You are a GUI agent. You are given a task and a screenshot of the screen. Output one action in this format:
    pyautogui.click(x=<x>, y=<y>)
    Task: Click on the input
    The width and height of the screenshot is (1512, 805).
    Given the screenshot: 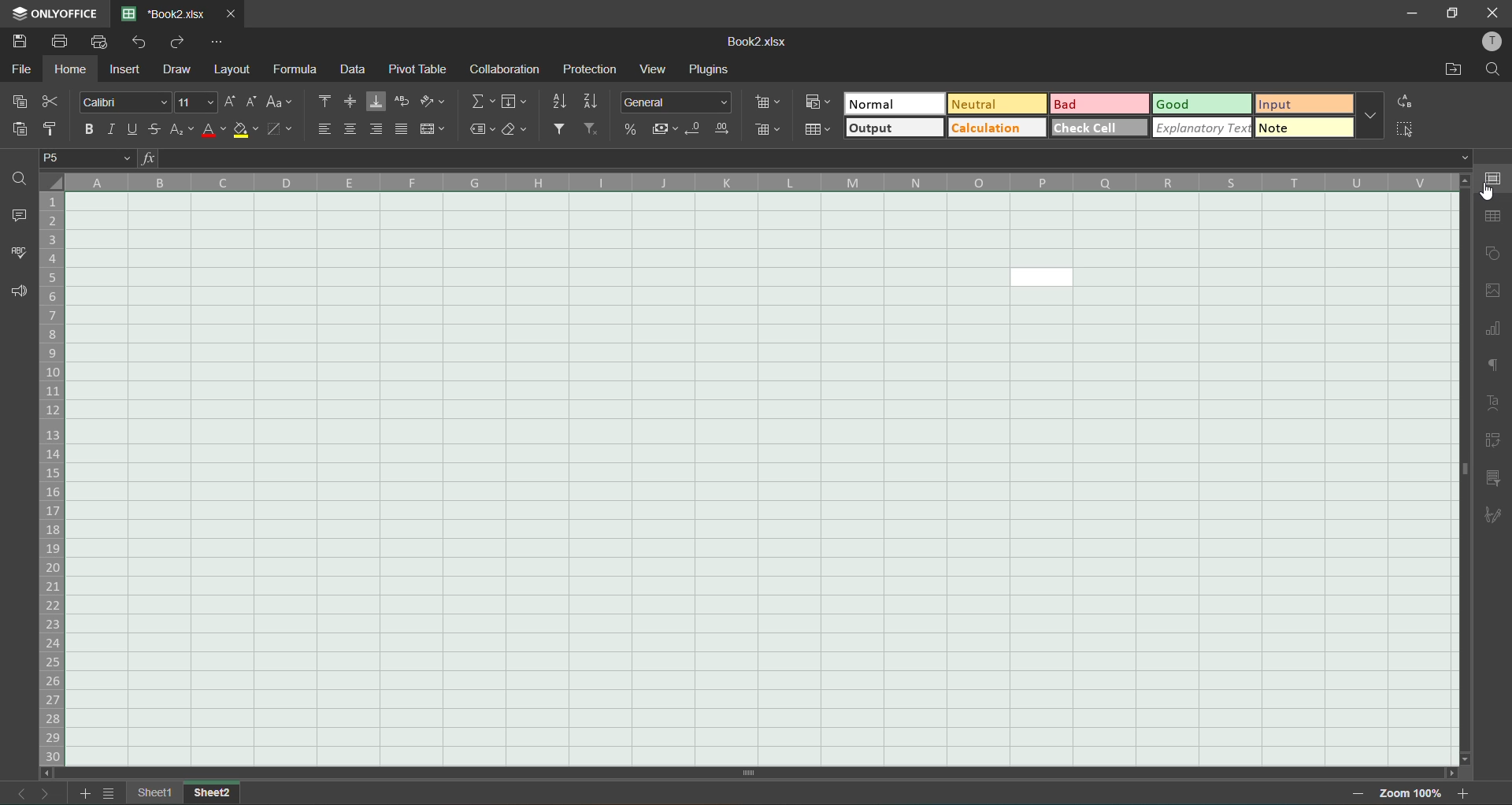 What is the action you would take?
    pyautogui.click(x=1303, y=104)
    